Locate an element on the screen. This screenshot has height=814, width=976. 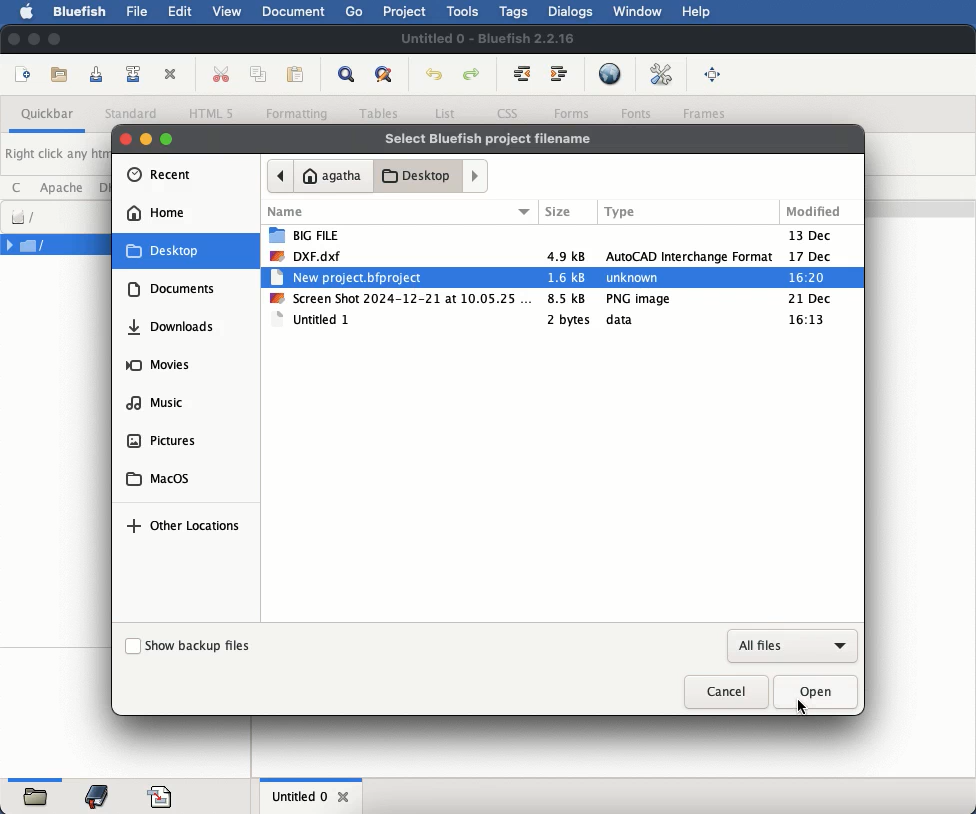
maximize is located at coordinates (56, 41).